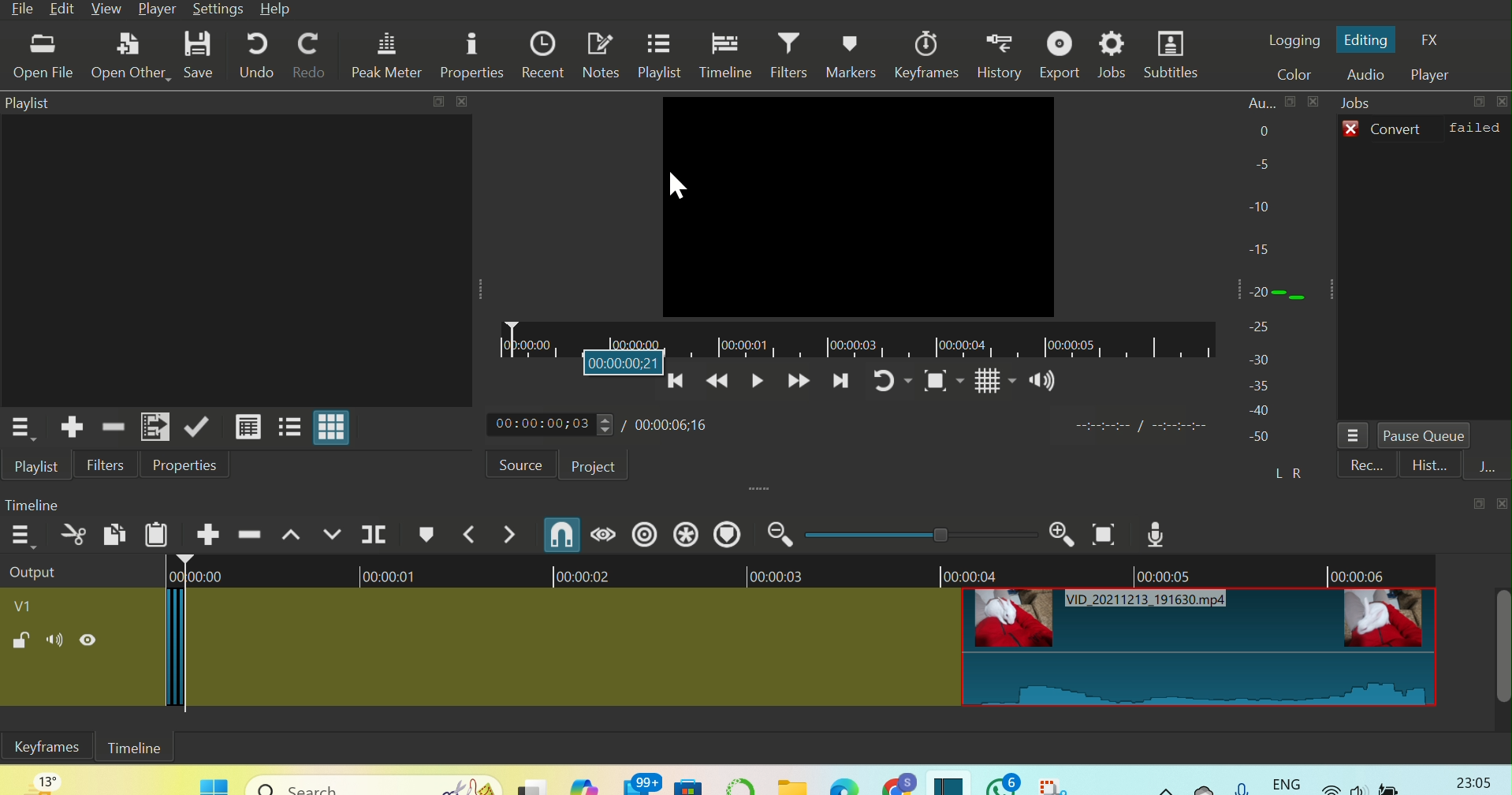  Describe the element at coordinates (508, 532) in the screenshot. I see `Next Marker` at that location.